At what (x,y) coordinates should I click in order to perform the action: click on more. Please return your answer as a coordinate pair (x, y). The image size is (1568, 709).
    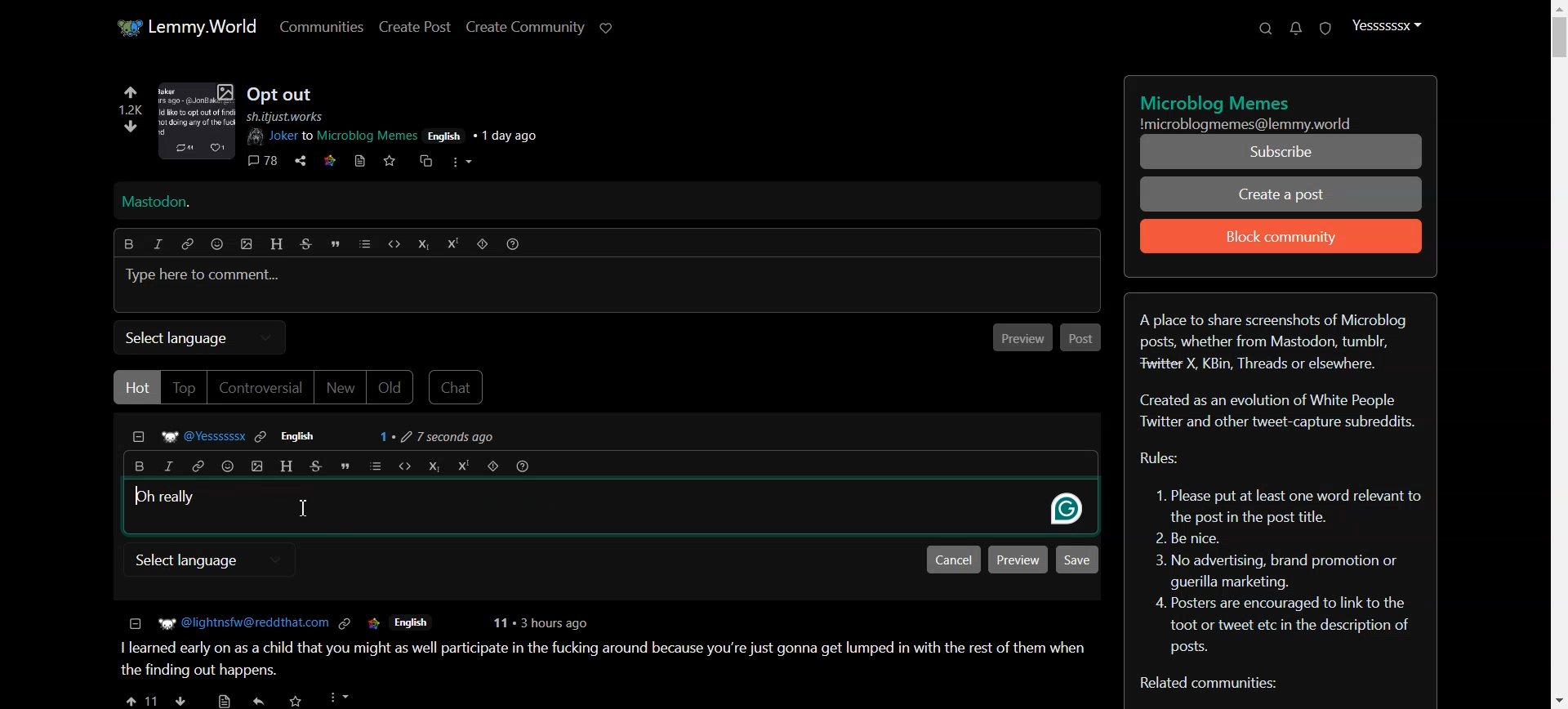
    Looking at the image, I should click on (463, 163).